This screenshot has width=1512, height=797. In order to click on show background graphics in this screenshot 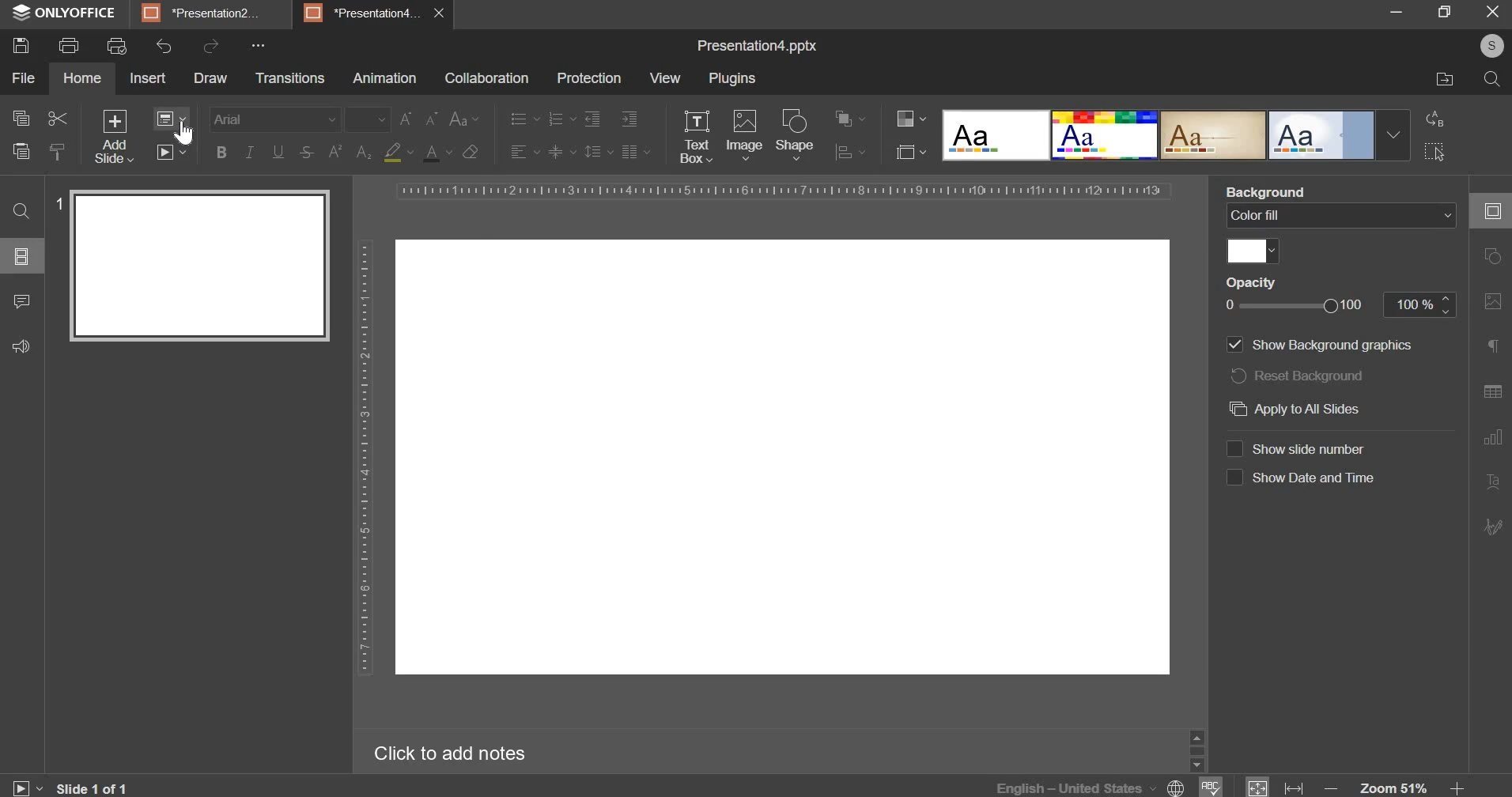, I will do `click(1336, 345)`.